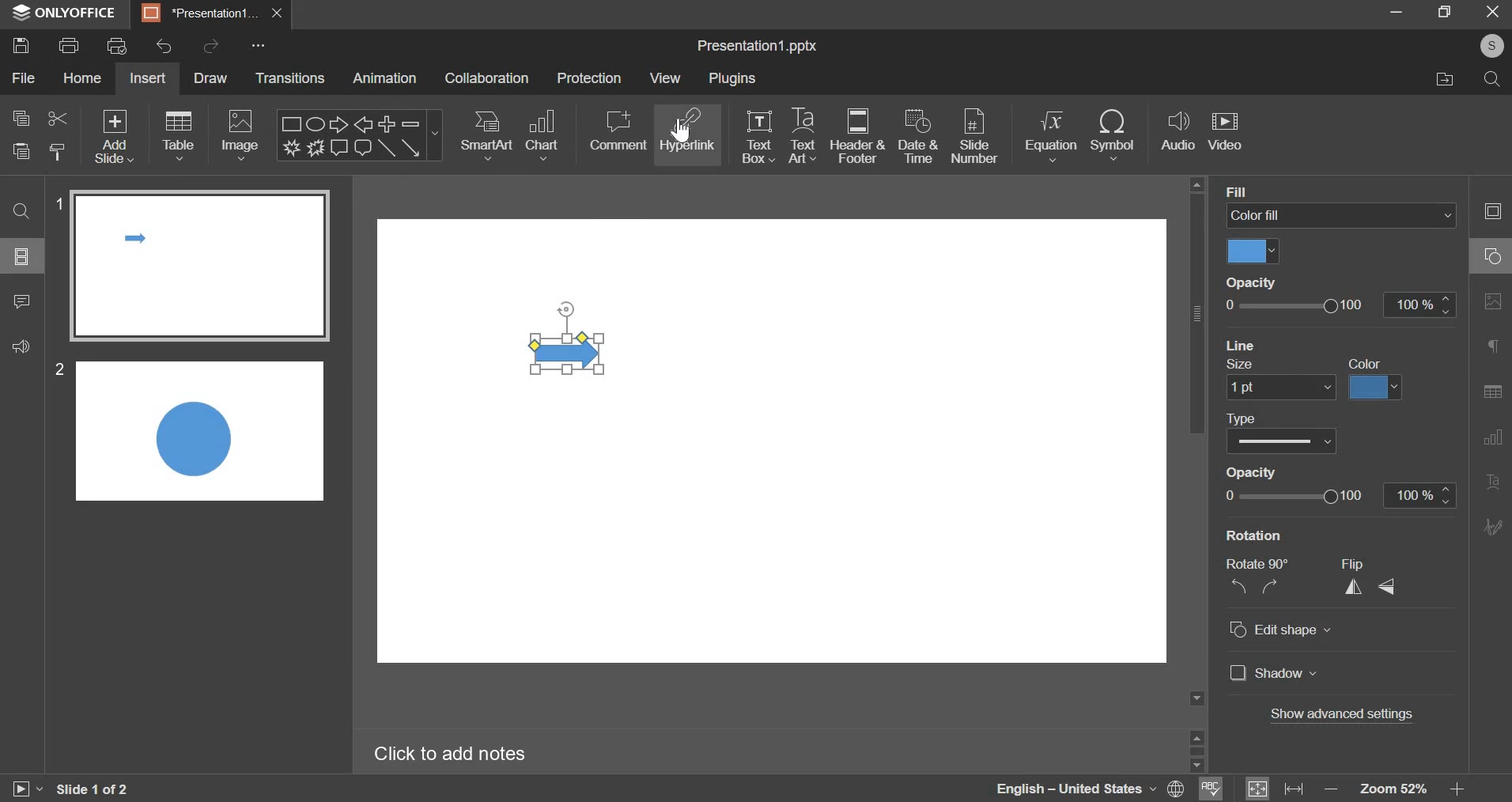 The height and width of the screenshot is (802, 1512). Describe the element at coordinates (115, 136) in the screenshot. I see `add slide` at that location.